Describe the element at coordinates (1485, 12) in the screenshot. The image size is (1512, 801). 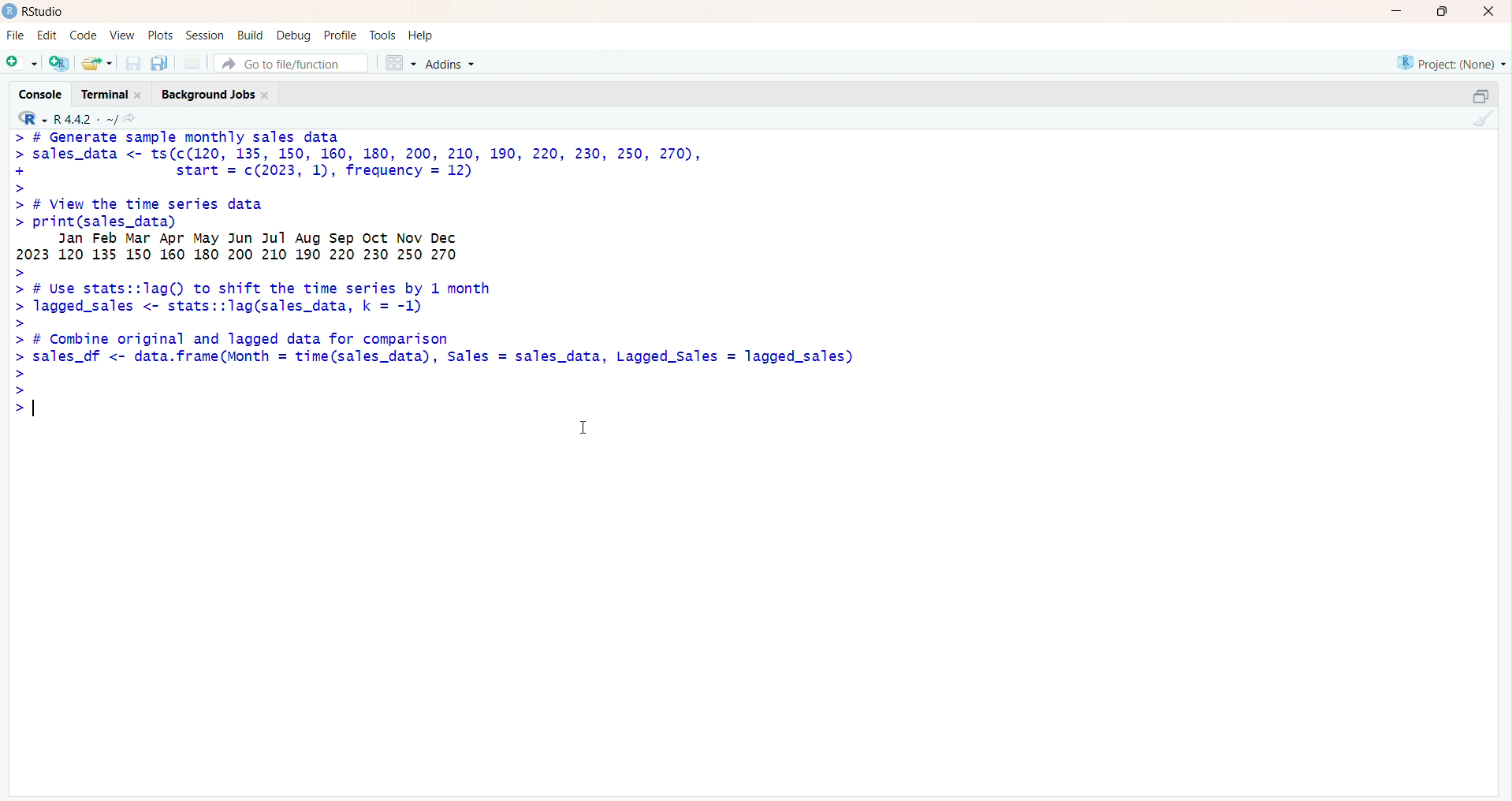
I see `close` at that location.